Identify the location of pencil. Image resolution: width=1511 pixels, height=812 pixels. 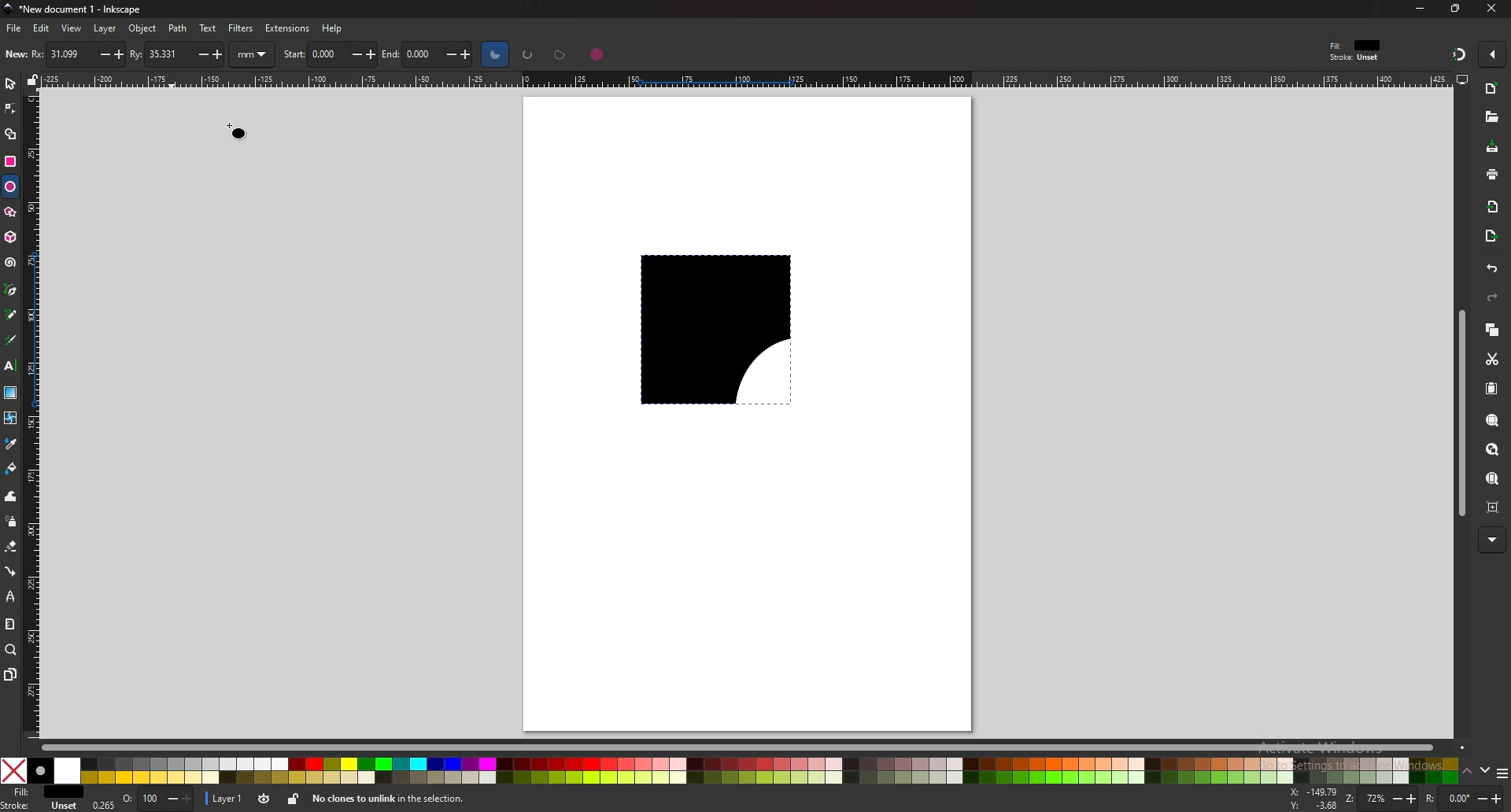
(12, 314).